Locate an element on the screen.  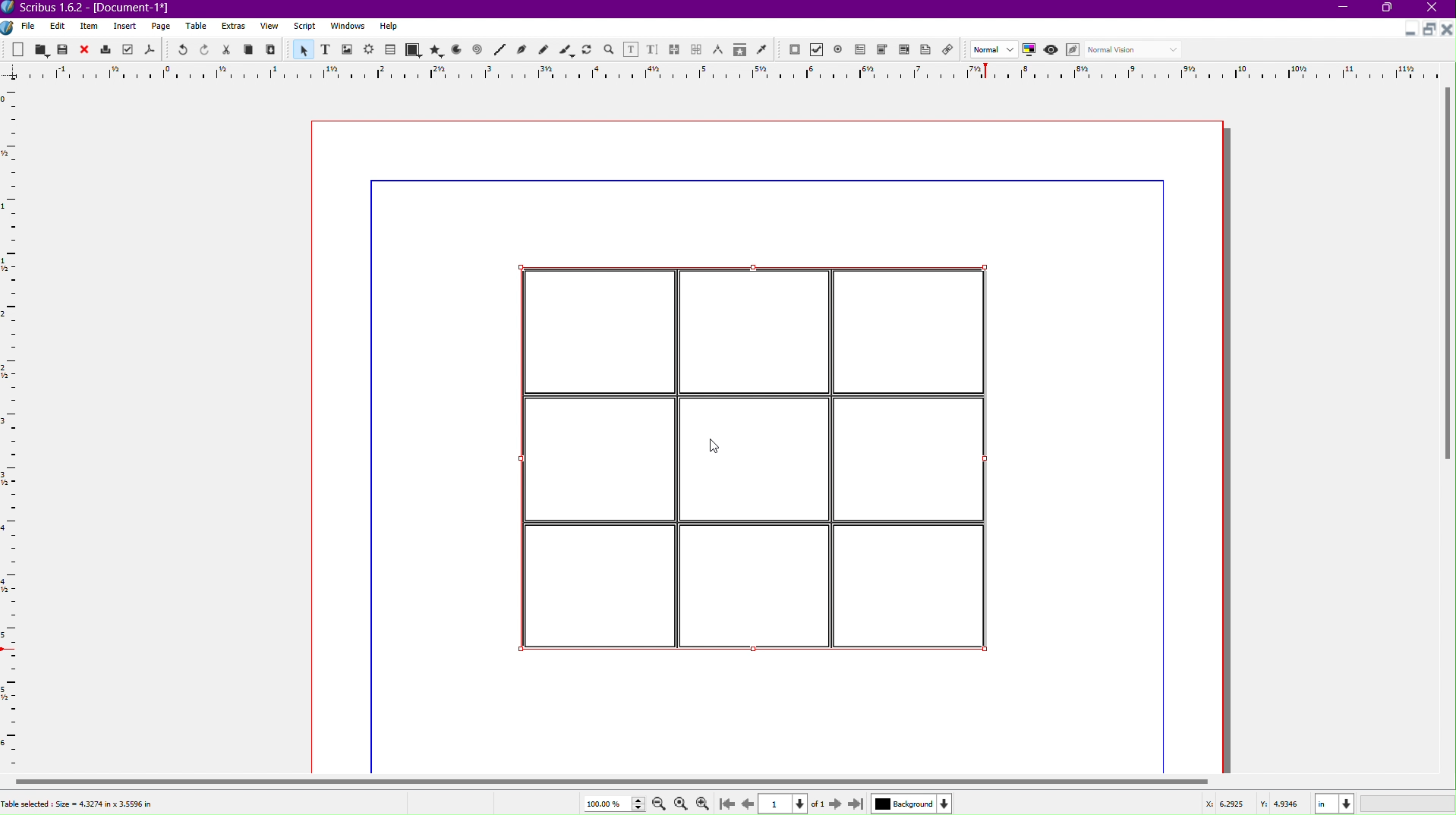
View is located at coordinates (269, 29).